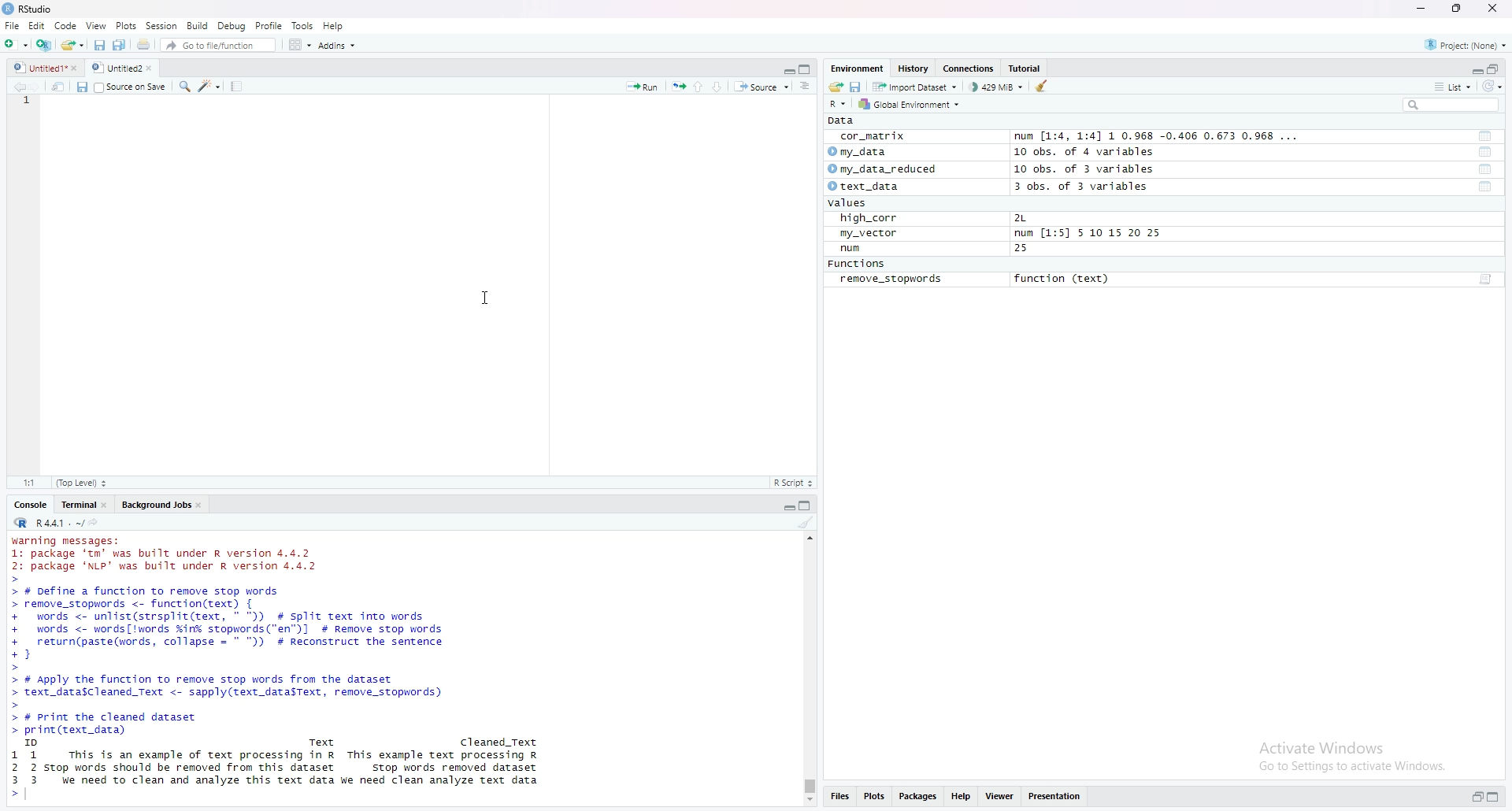 The width and height of the screenshot is (1512, 811). I want to click on > # Apply the function to remove stop words from the dataset
> text_datasCleaned_Text <- sapply(text_datasText, remove_stopuords)
> # print the cleaned dataset
> print(text_data)
I Text Cleaned_Text, so click(279, 709).